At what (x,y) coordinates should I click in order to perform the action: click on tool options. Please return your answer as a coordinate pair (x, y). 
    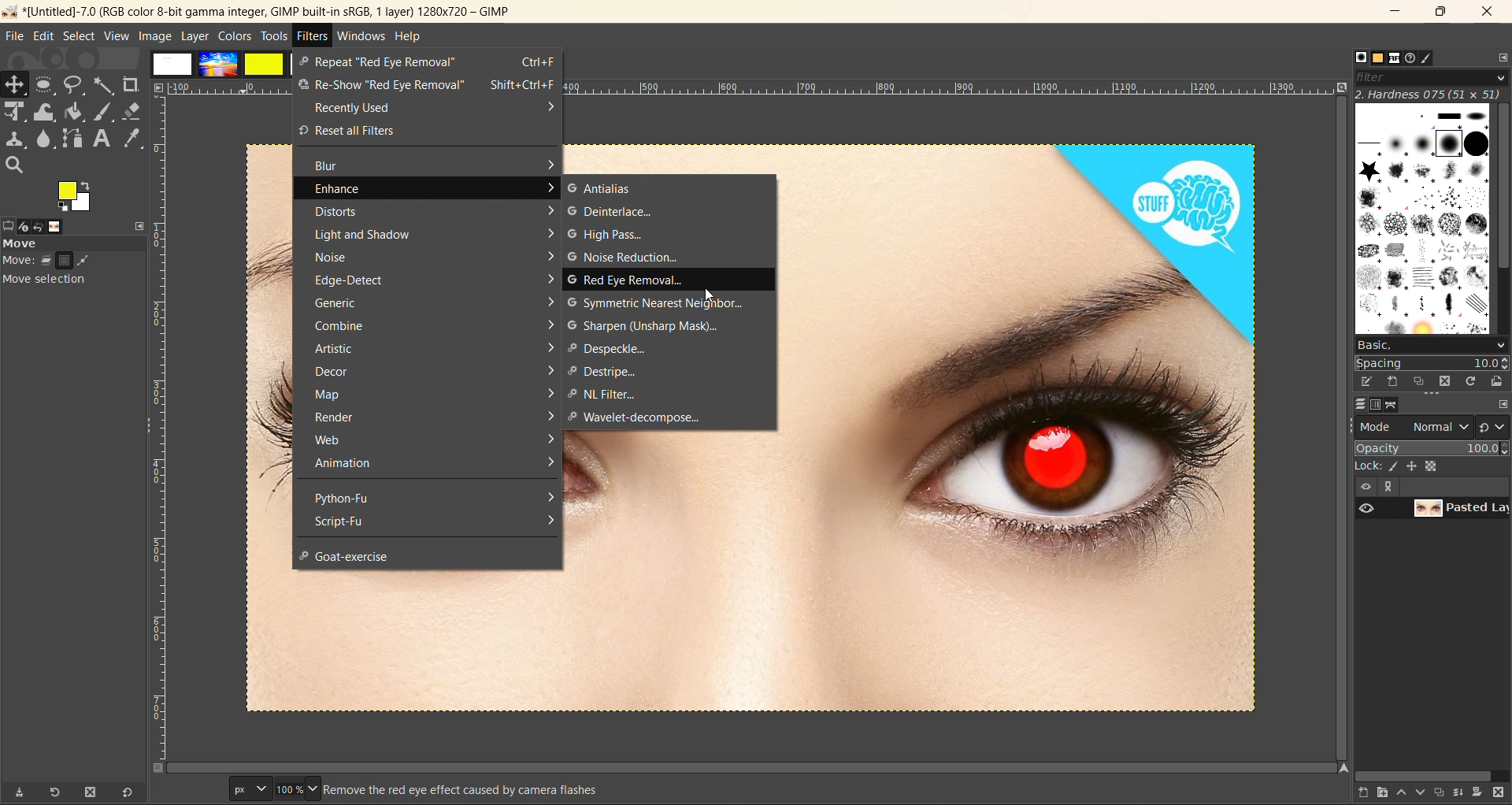
    Looking at the image, I should click on (9, 224).